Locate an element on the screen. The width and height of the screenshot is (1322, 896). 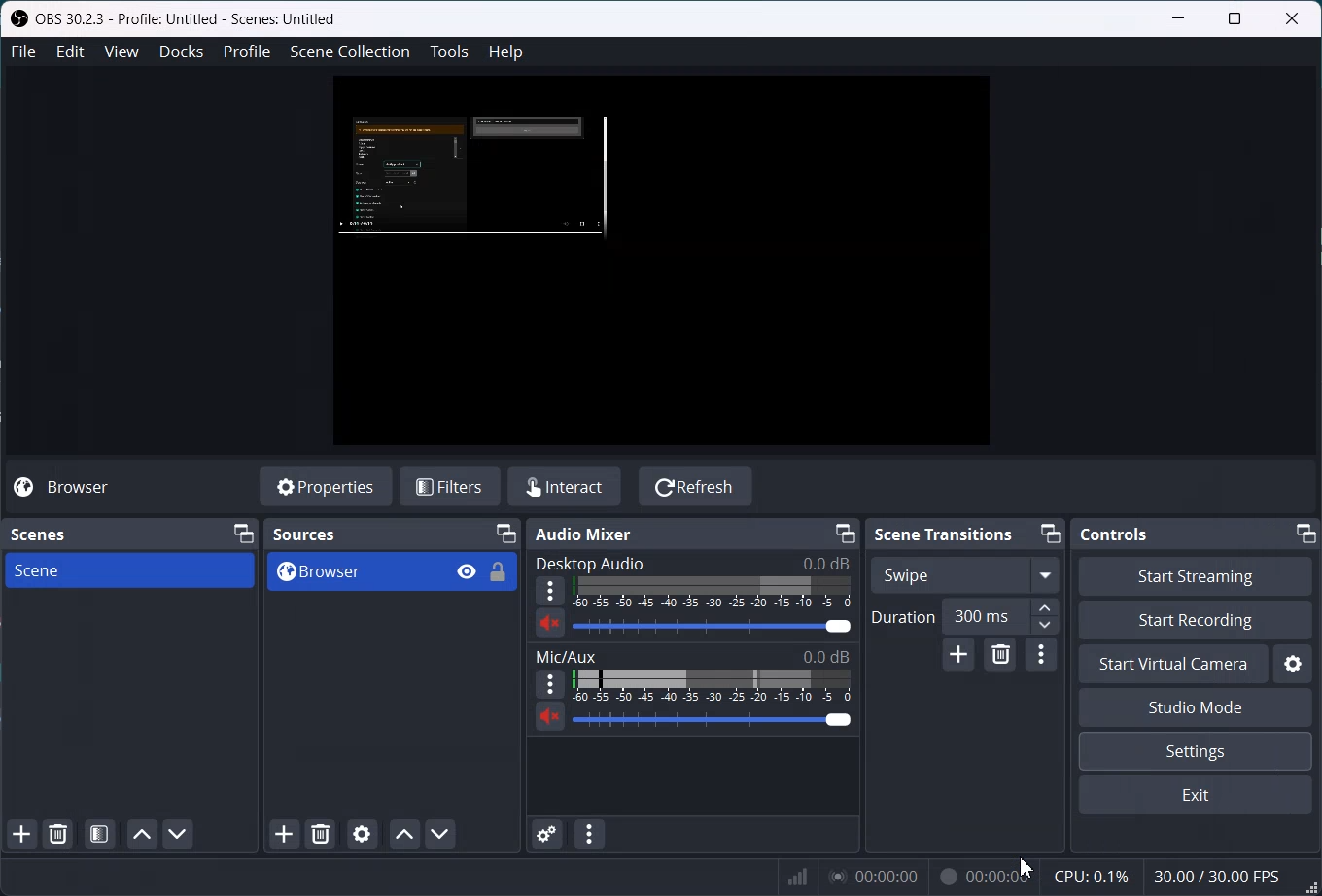
00:00:00 is located at coordinates (984, 877).